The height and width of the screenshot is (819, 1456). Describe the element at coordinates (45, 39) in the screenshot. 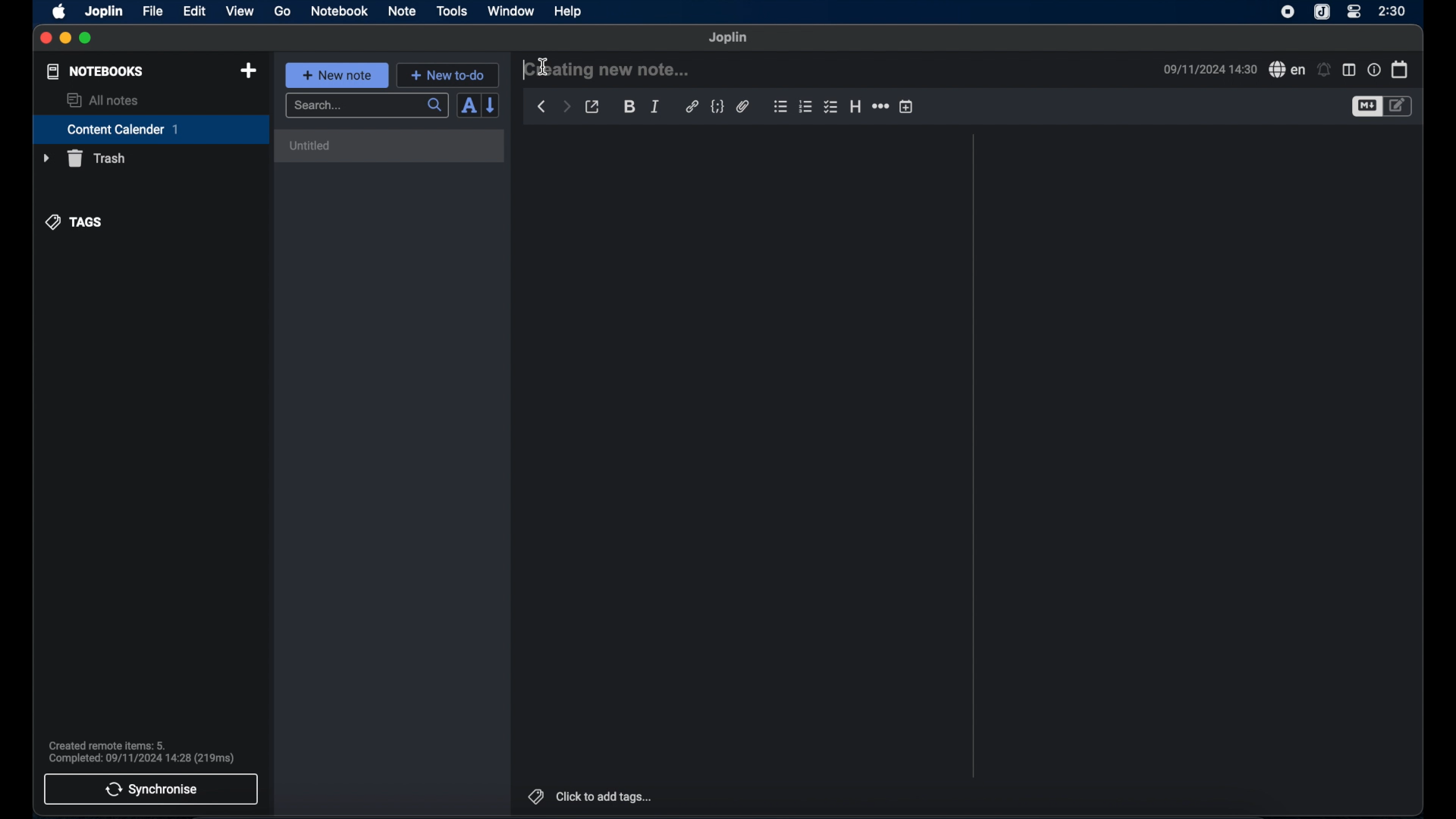

I see `close` at that location.